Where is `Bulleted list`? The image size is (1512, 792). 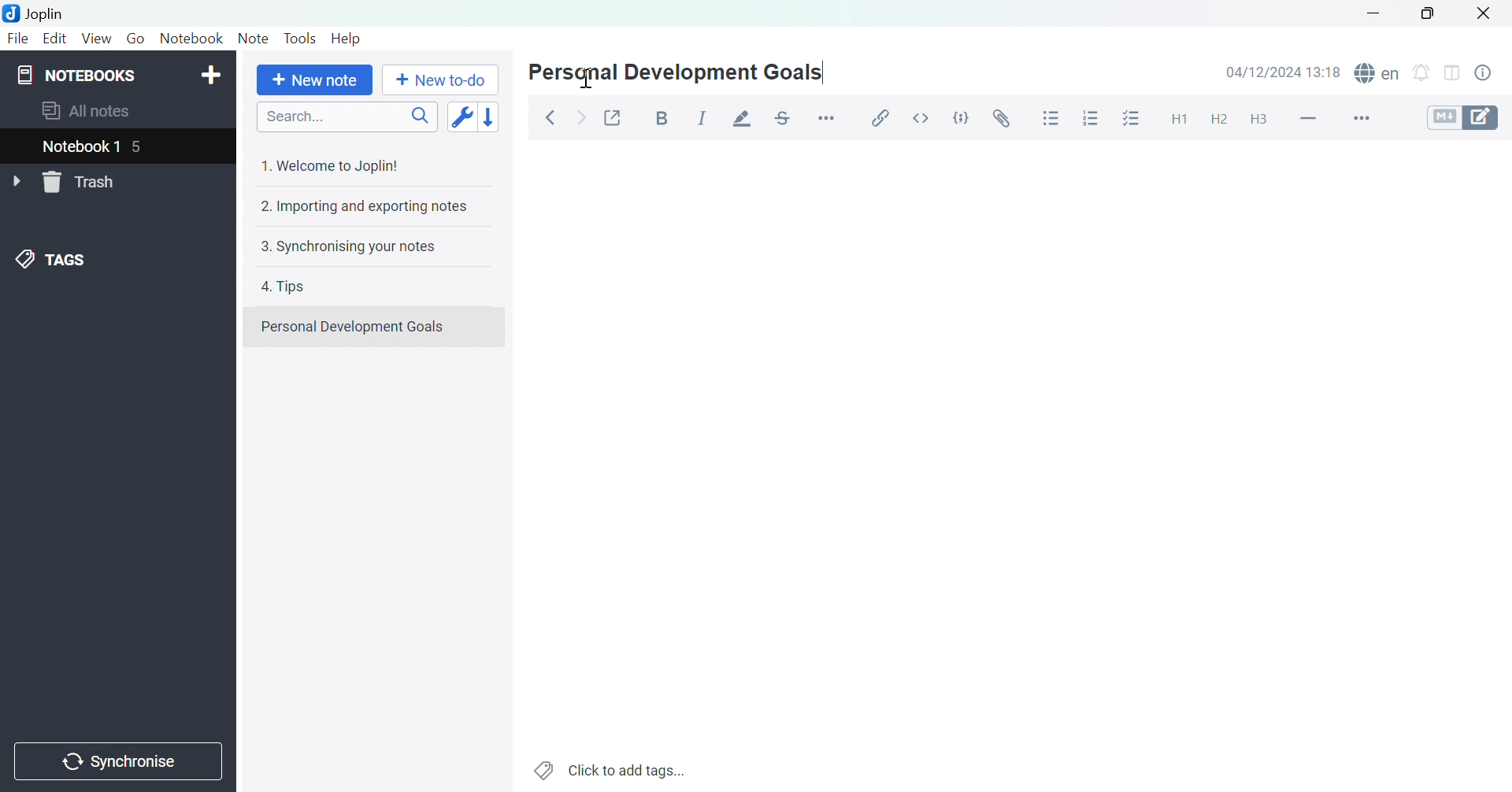
Bulleted list is located at coordinates (1052, 120).